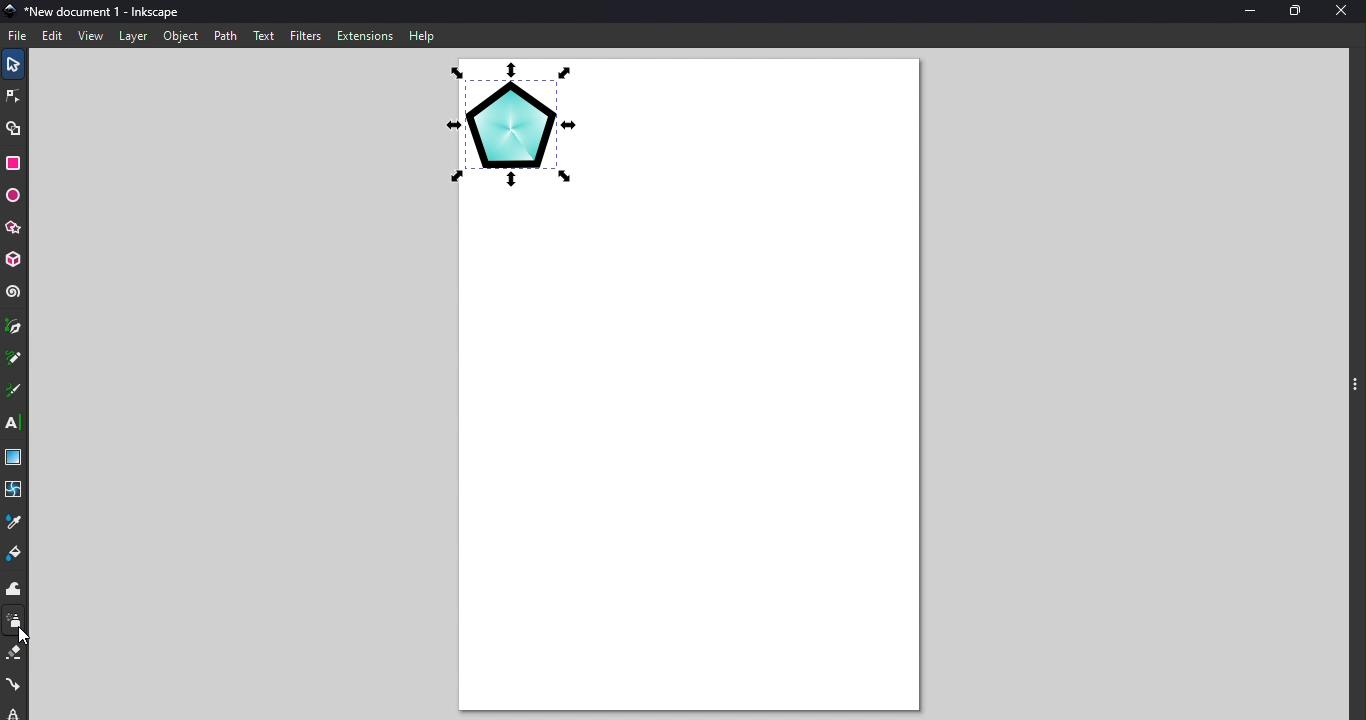  I want to click on Eraser tool, so click(15, 655).